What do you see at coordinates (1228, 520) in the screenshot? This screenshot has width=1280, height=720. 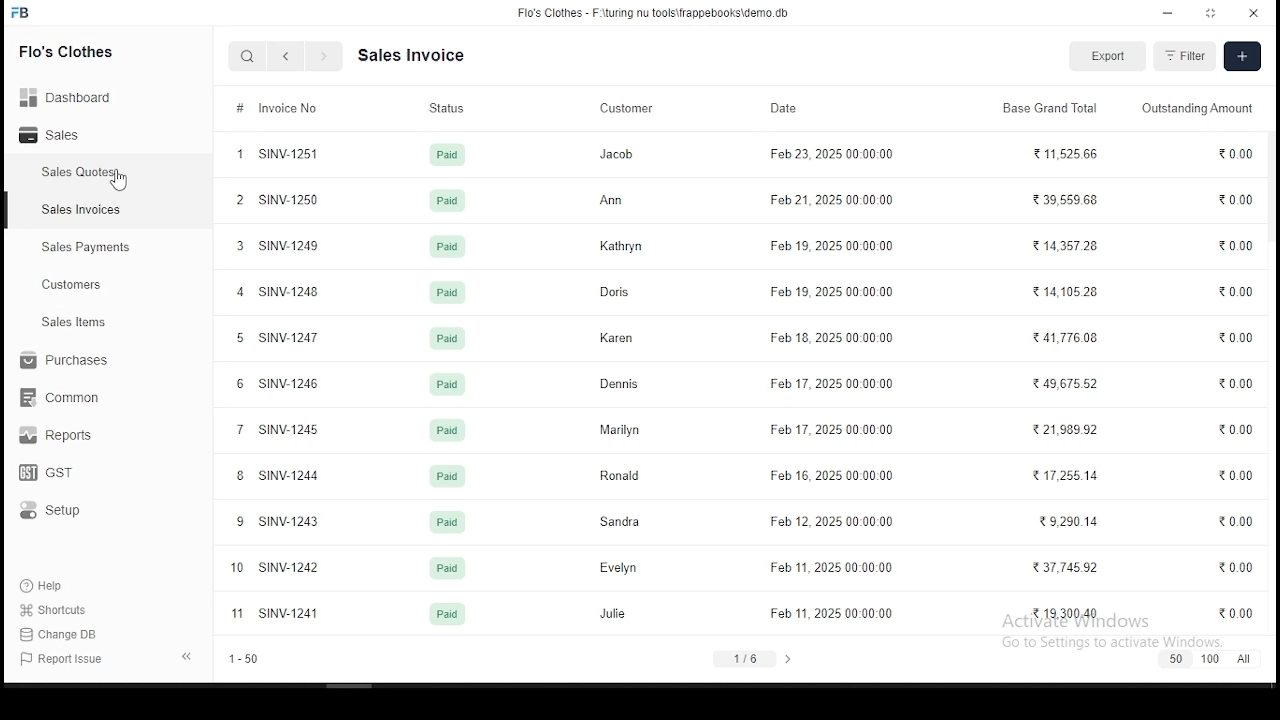 I see `0.00` at bounding box center [1228, 520].